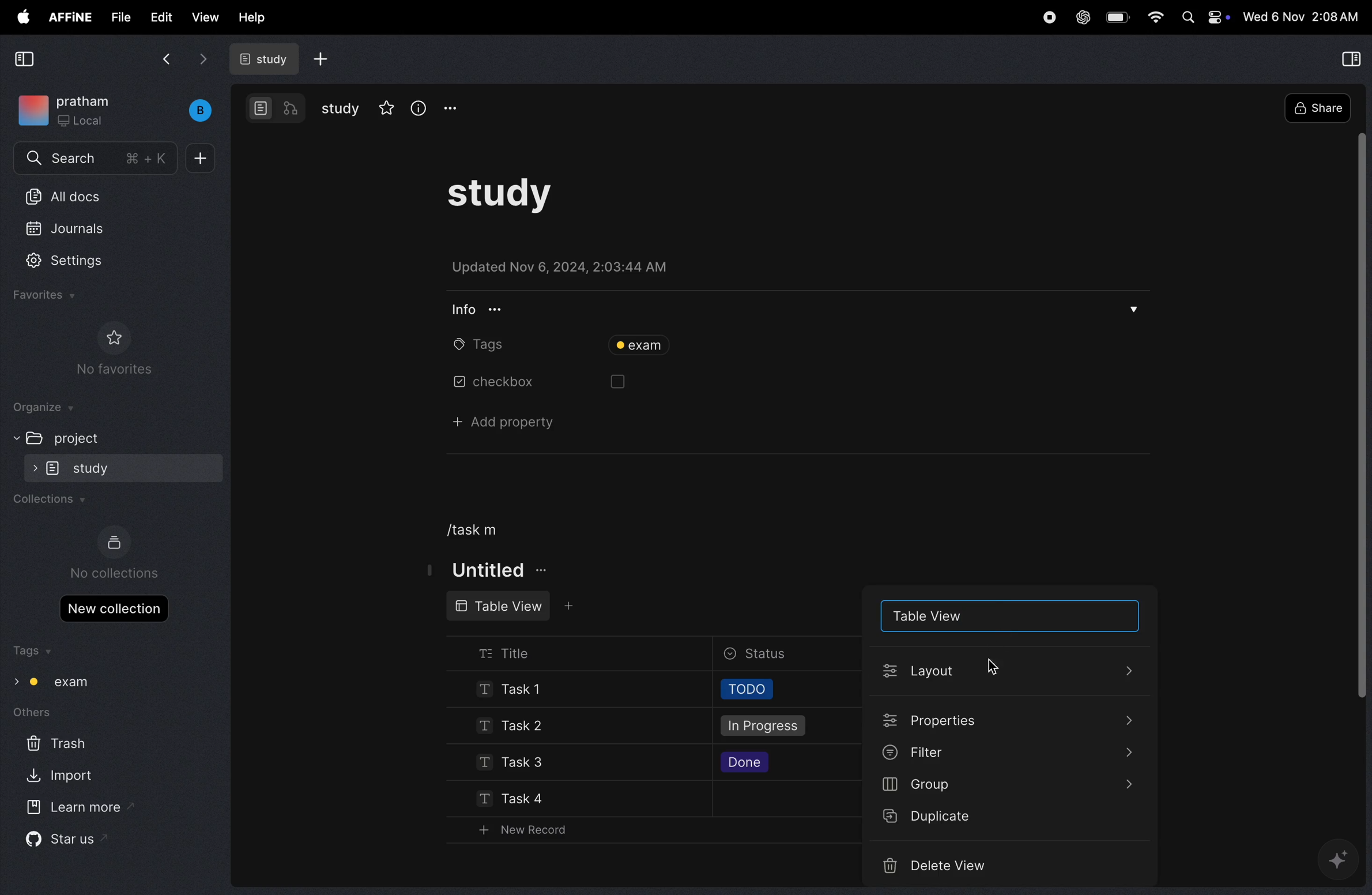 This screenshot has width=1372, height=895. I want to click on time and date, so click(1304, 17).